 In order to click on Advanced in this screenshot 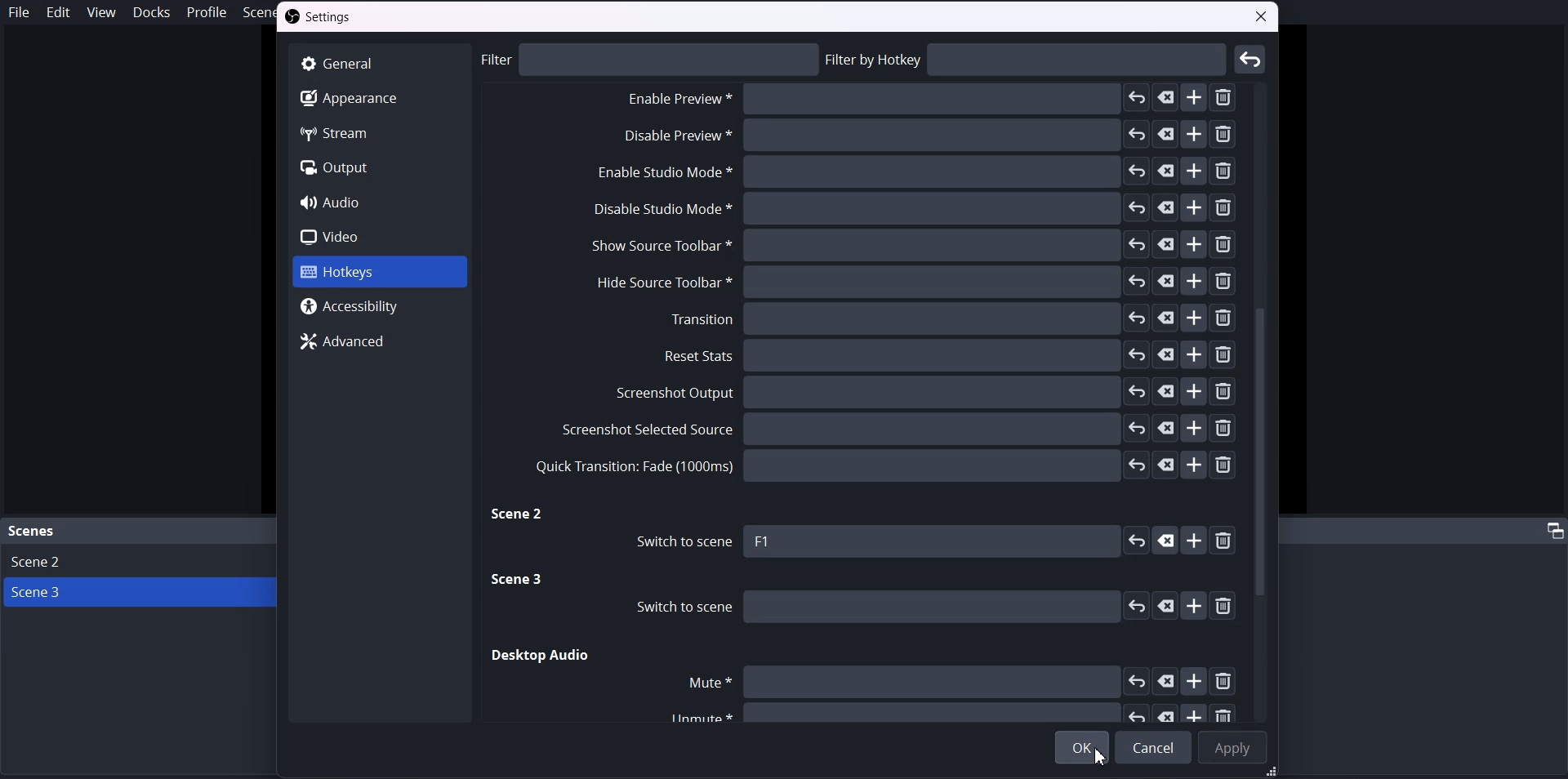, I will do `click(381, 340)`.